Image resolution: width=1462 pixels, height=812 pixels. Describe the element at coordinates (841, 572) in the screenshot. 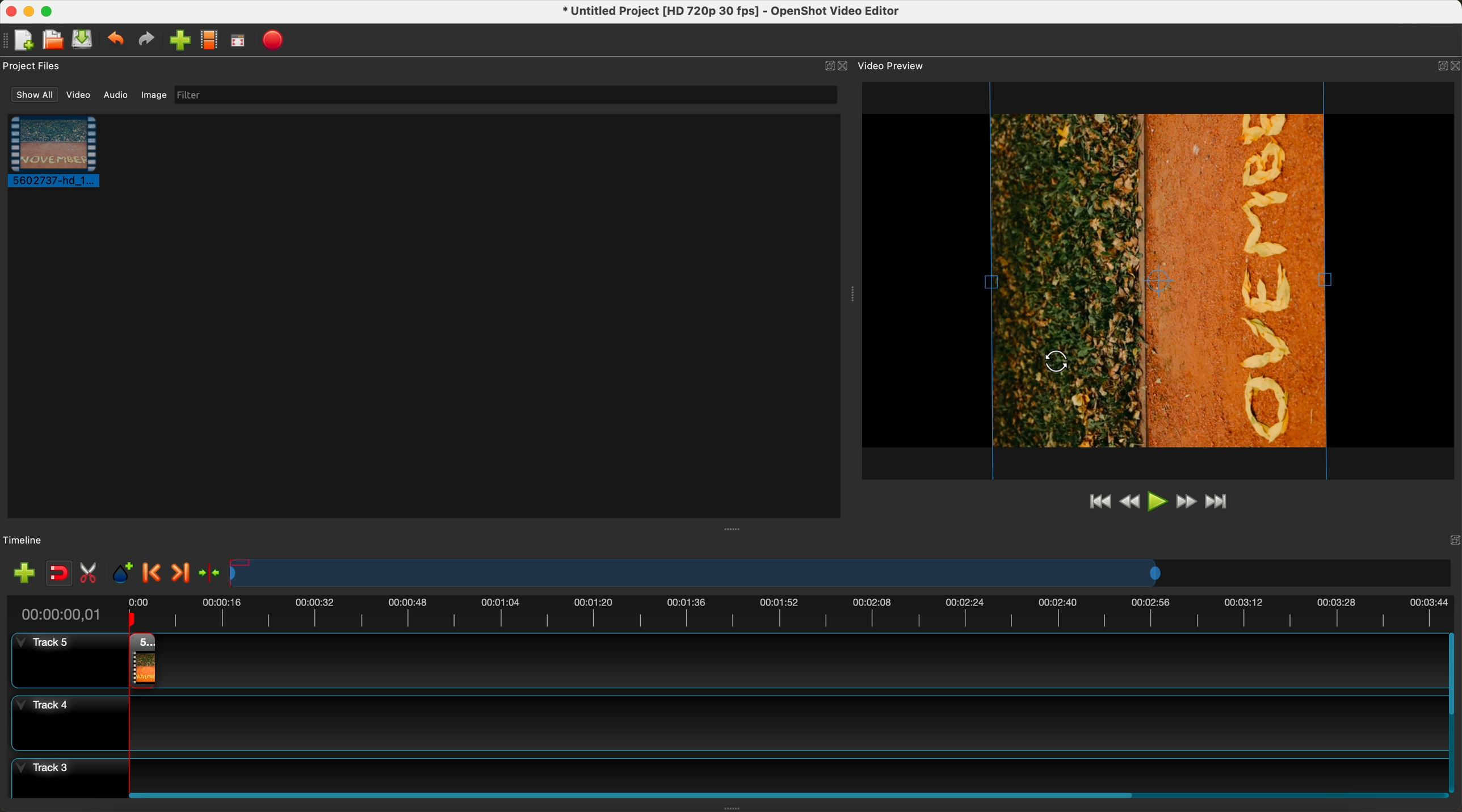

I see `timeline` at that location.